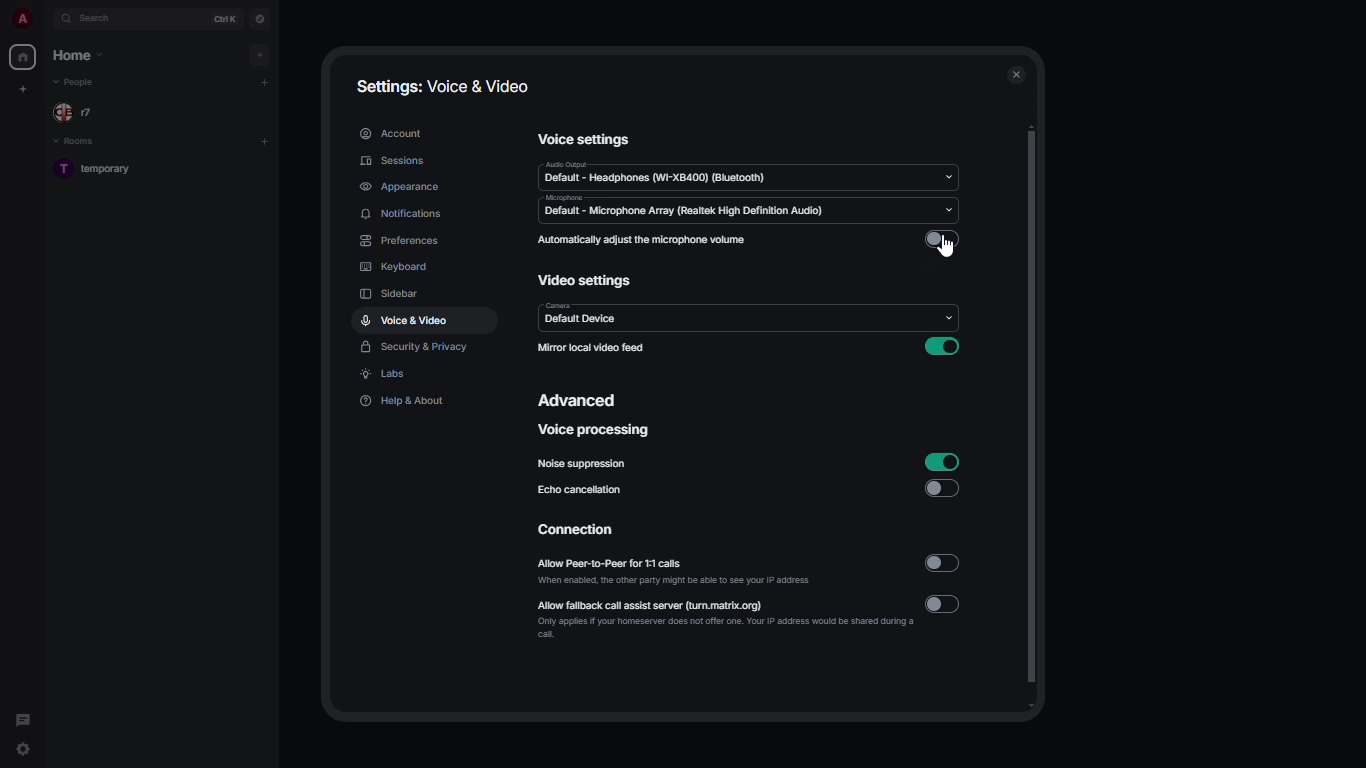  I want to click on audio default, so click(657, 174).